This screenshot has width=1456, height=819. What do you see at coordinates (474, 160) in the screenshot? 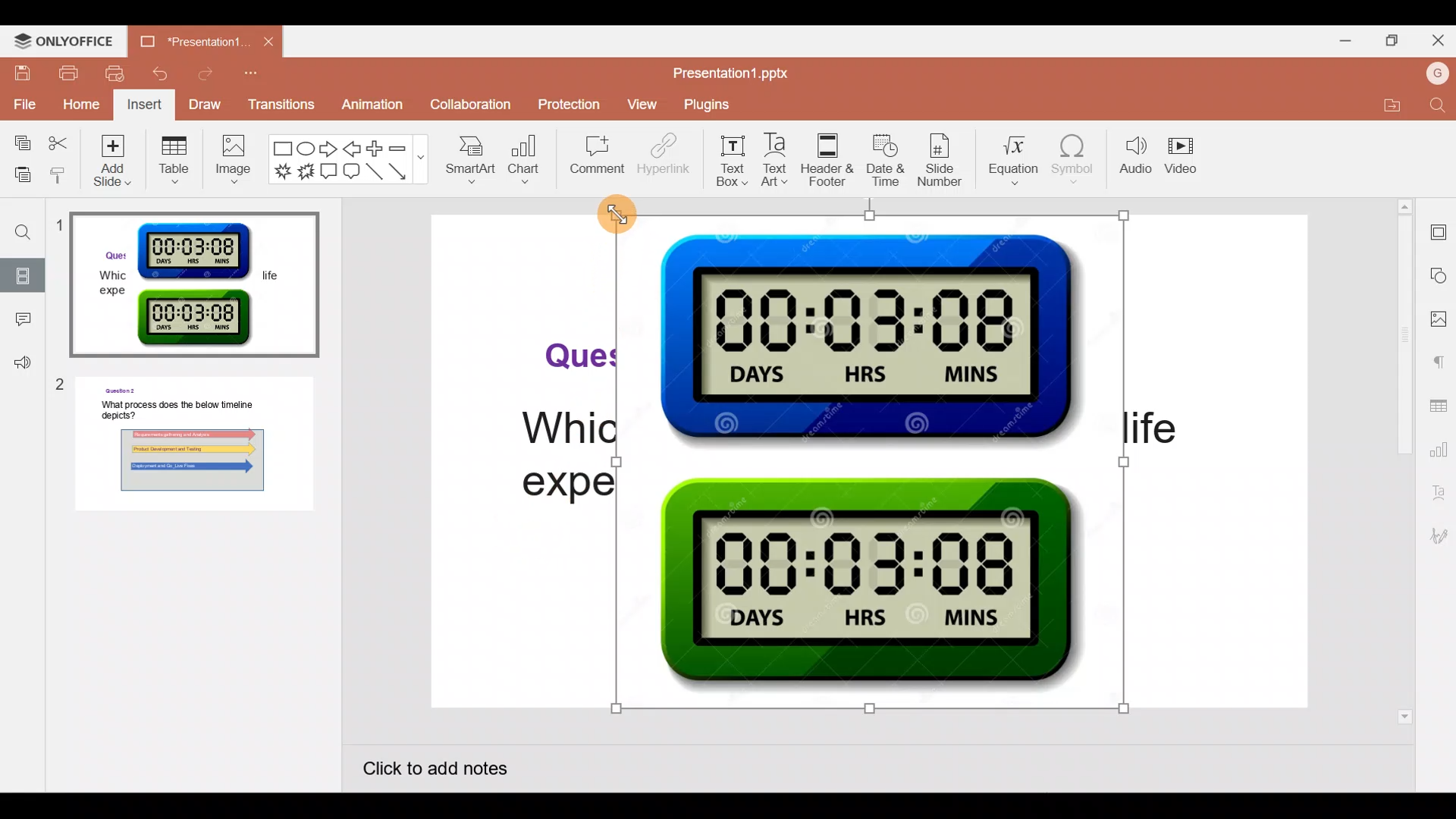
I see `SmartArt` at bounding box center [474, 160].